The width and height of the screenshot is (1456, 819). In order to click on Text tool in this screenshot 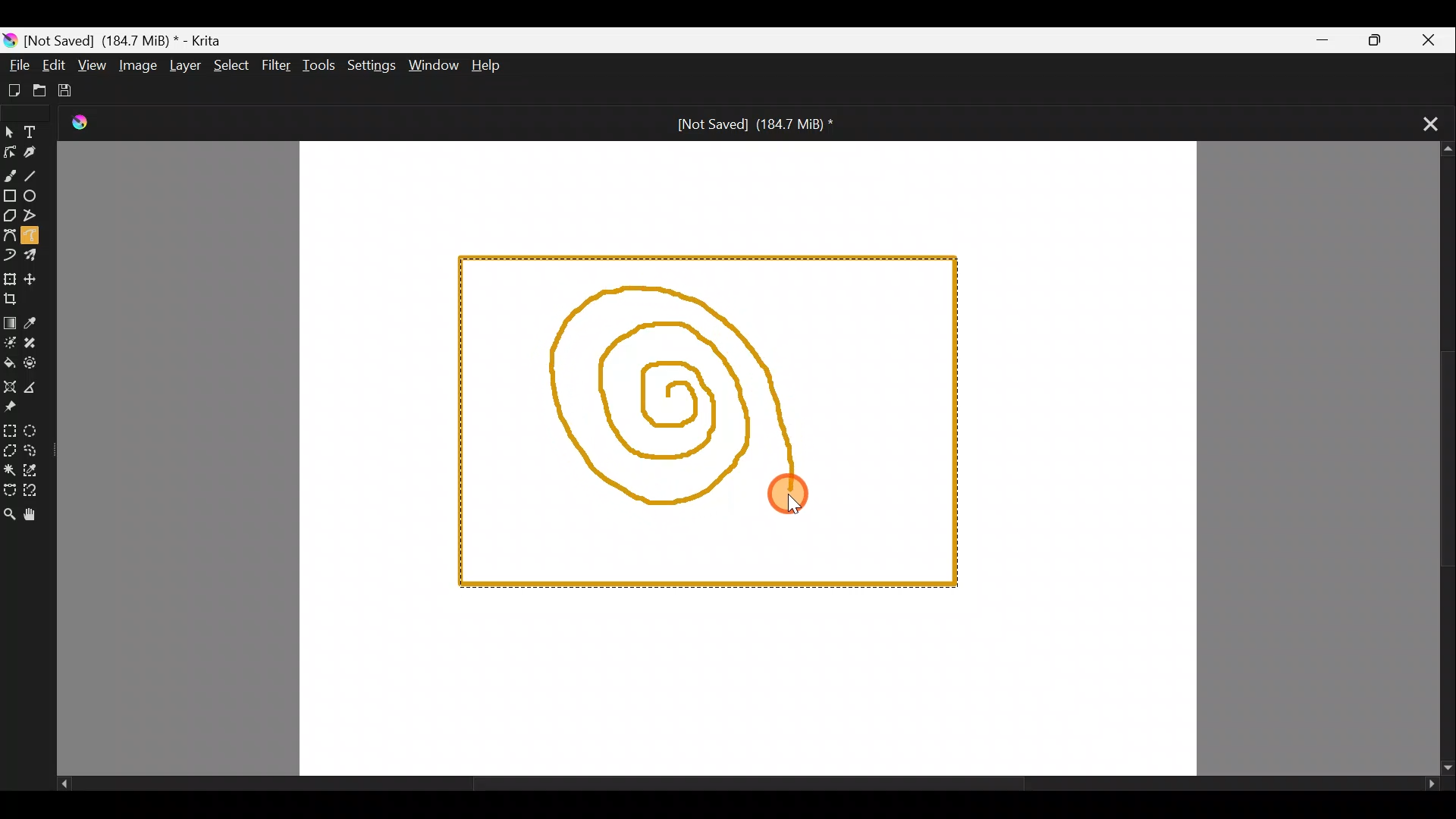, I will do `click(36, 130)`.